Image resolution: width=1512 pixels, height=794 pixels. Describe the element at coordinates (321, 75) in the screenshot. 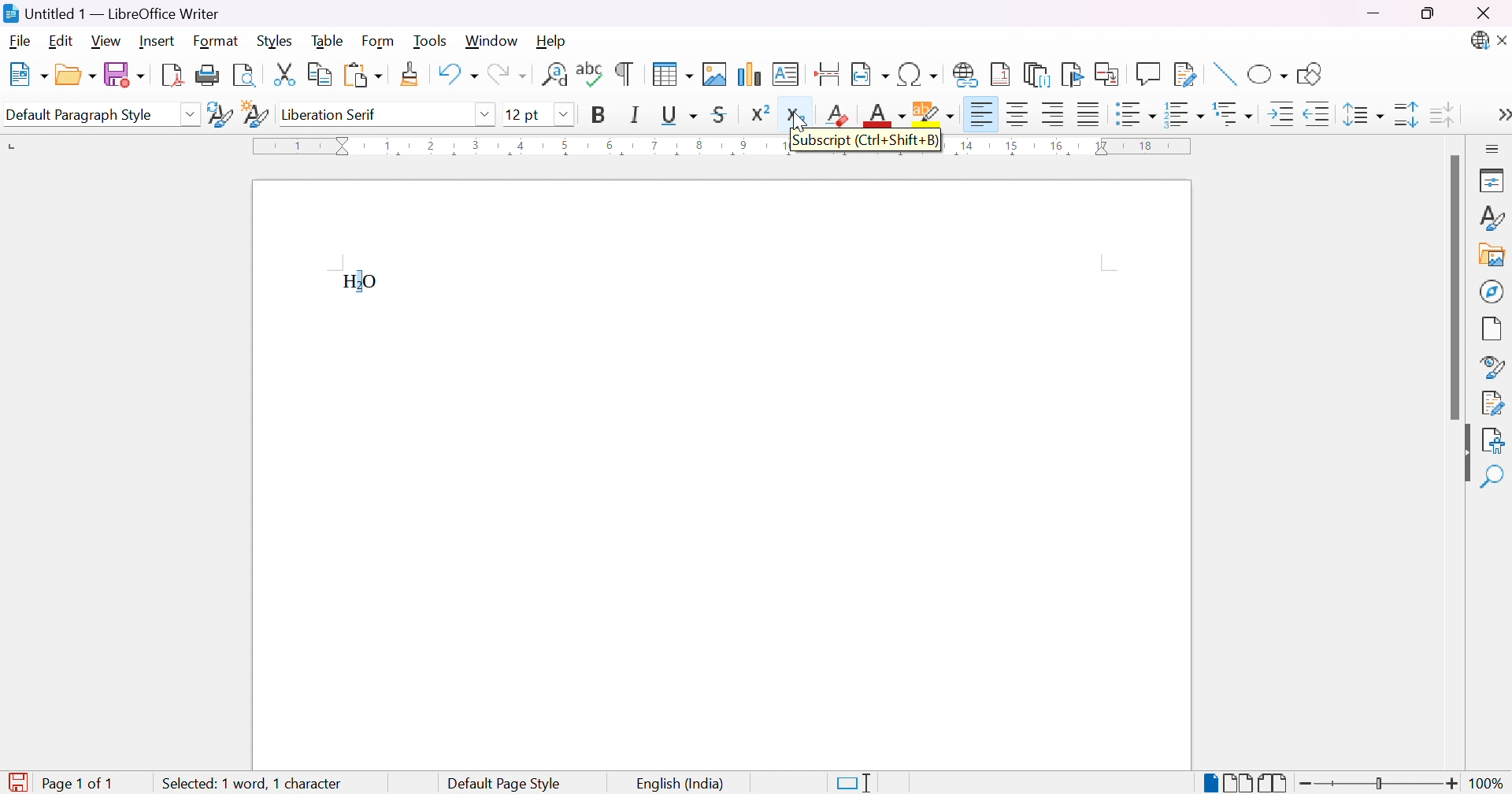

I see `Copy` at that location.